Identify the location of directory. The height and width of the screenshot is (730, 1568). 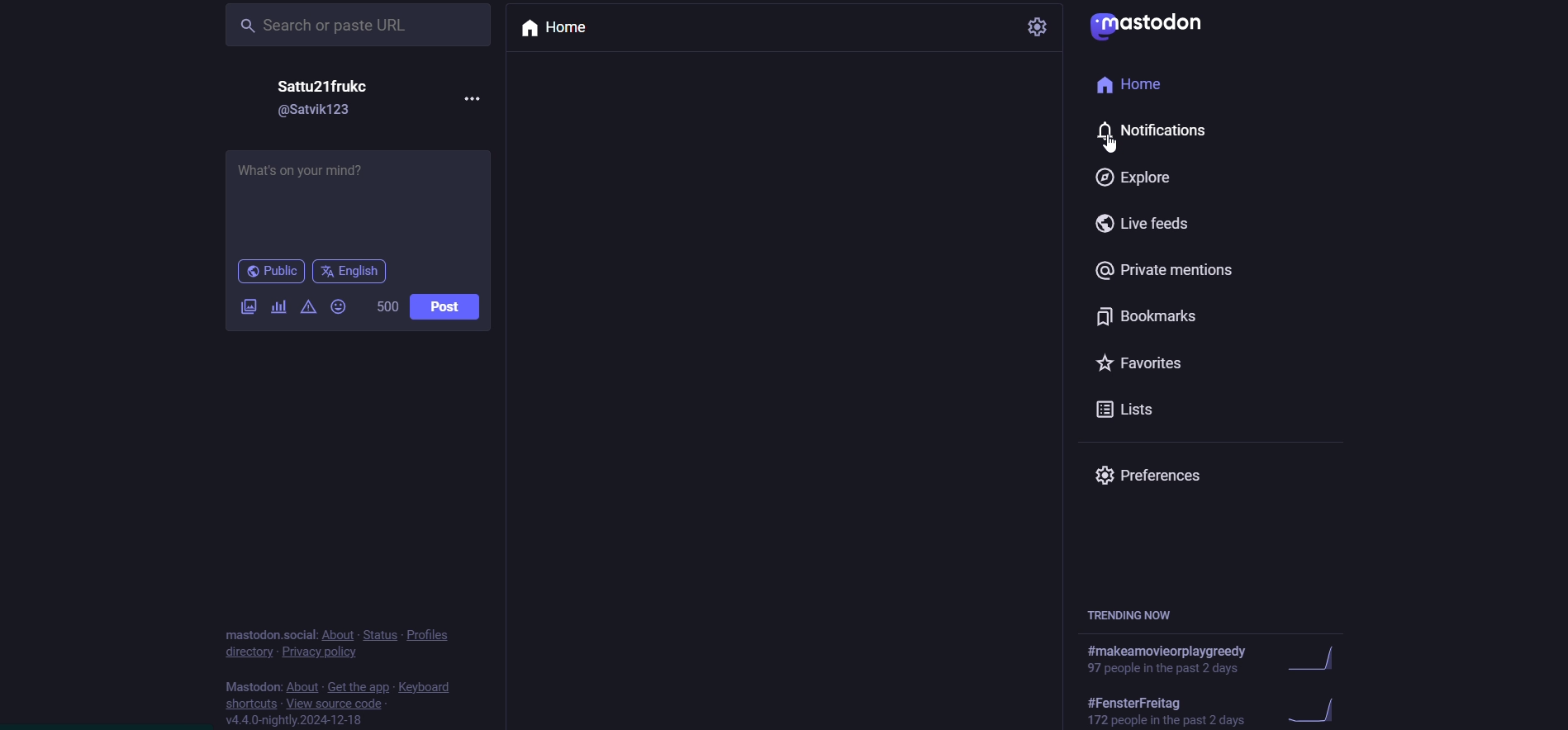
(246, 653).